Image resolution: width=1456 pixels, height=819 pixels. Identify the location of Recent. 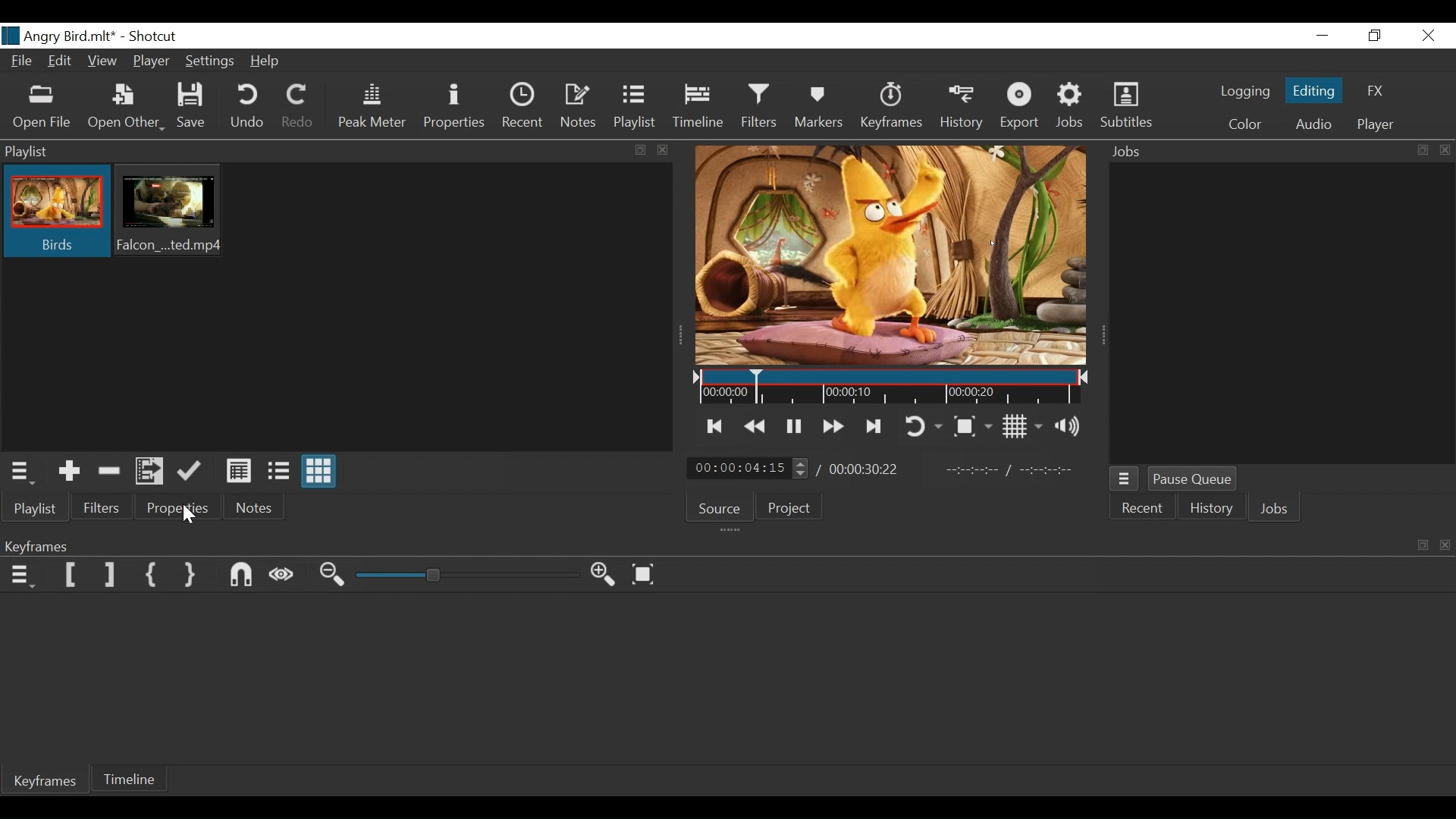
(1145, 509).